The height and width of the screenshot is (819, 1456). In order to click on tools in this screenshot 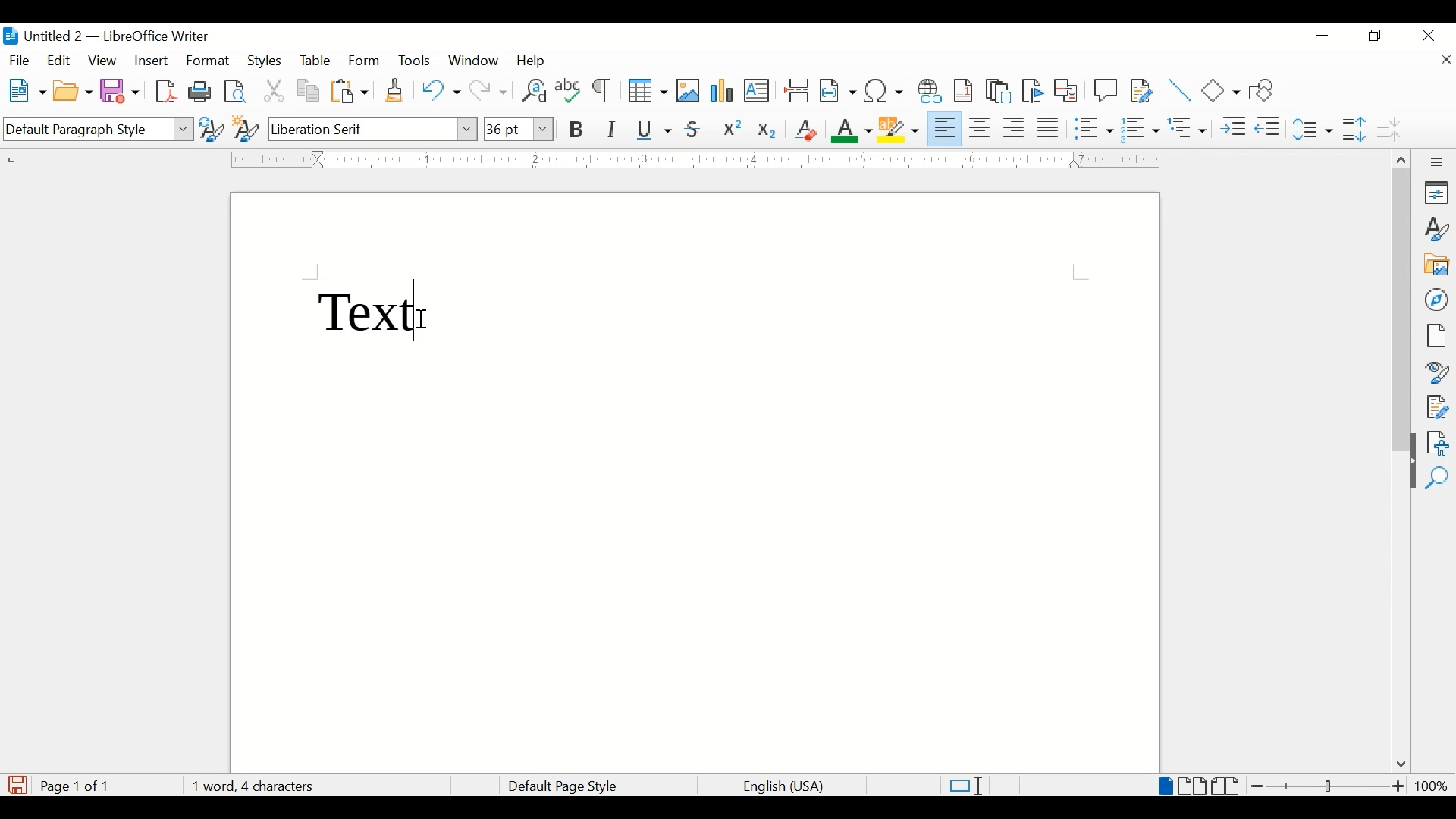, I will do `click(414, 60)`.